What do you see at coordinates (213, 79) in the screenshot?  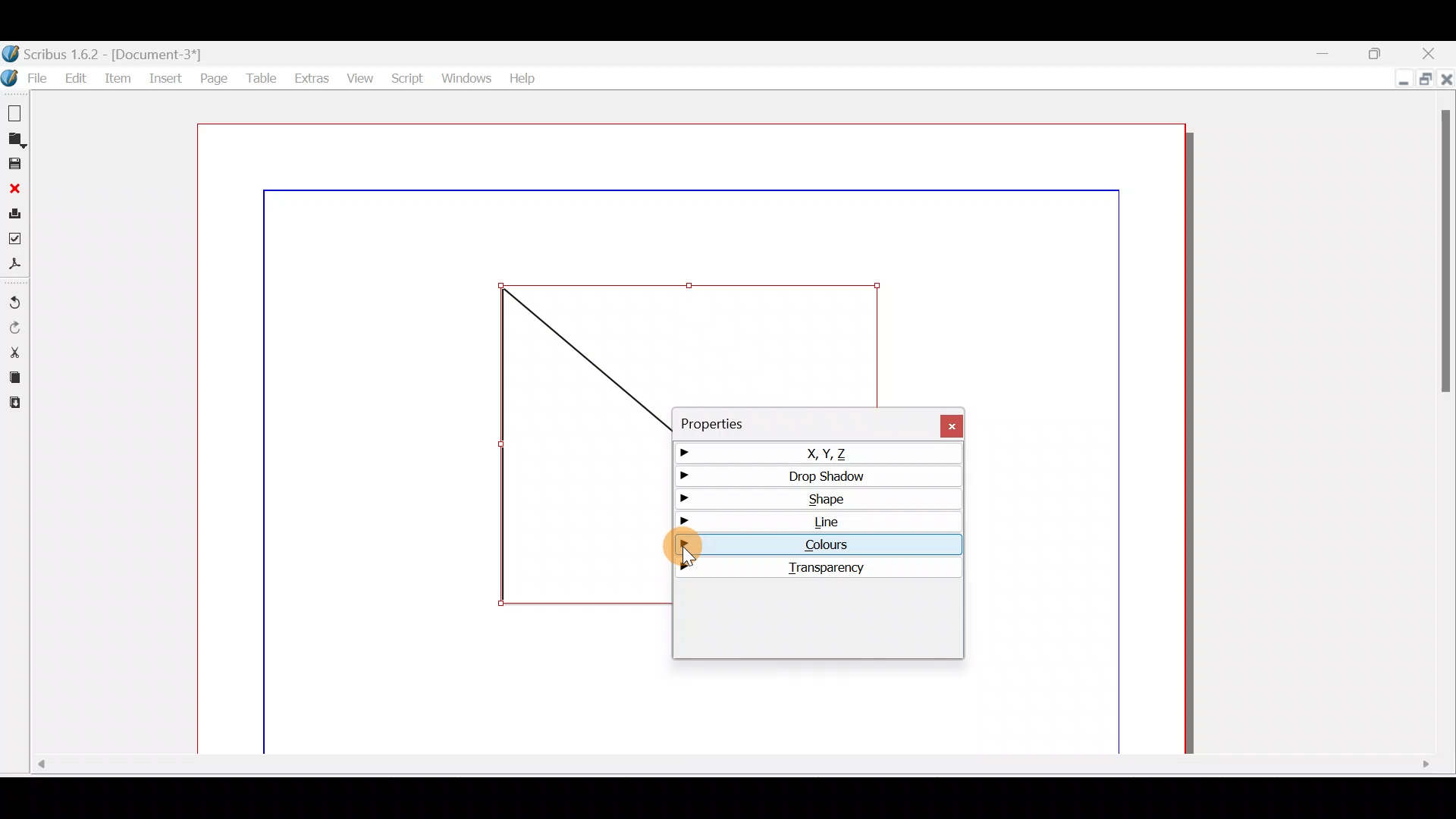 I see `Page` at bounding box center [213, 79].